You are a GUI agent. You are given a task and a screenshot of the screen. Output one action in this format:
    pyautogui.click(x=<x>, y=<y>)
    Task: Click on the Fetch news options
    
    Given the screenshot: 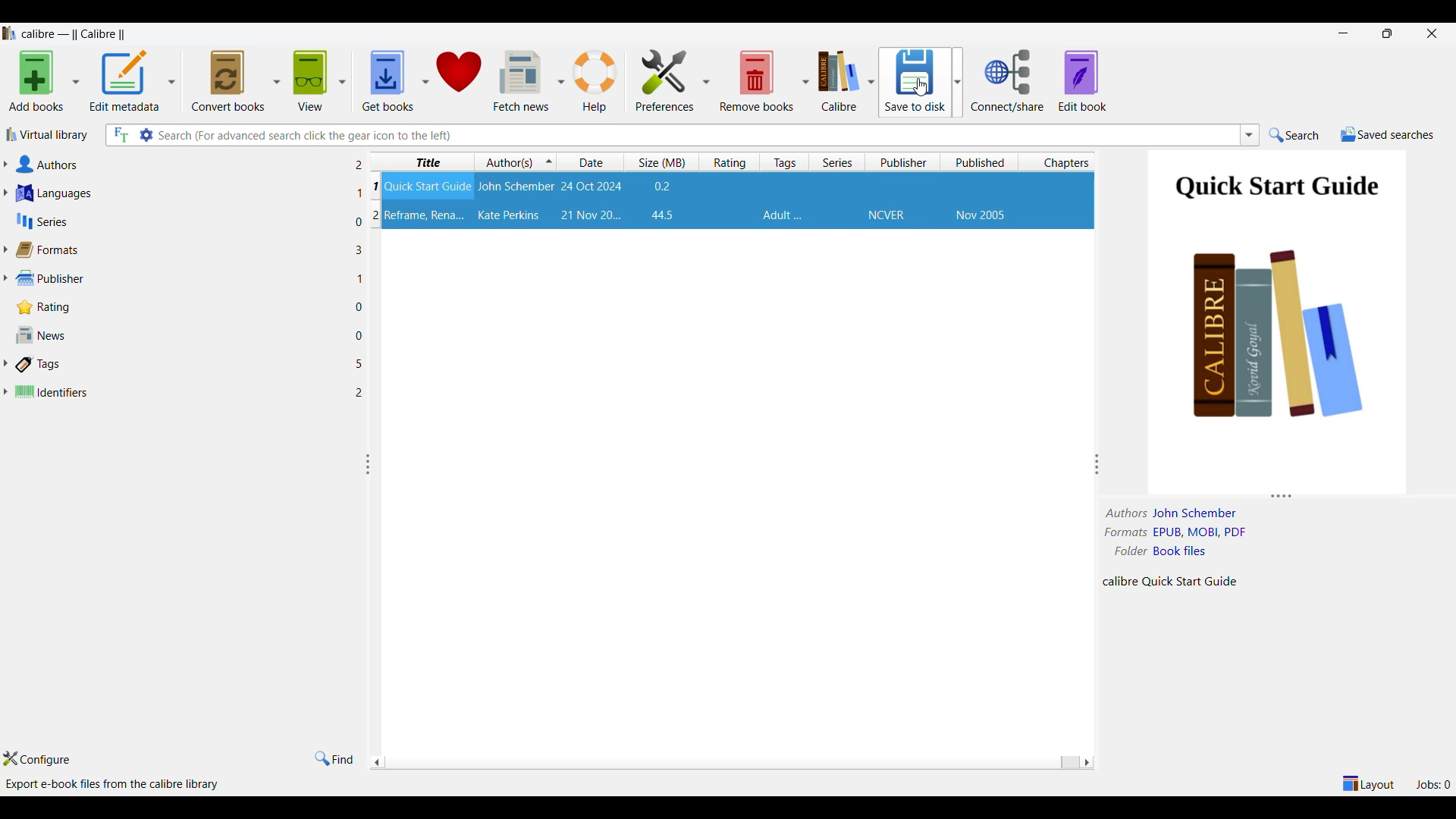 What is the action you would take?
    pyautogui.click(x=528, y=80)
    